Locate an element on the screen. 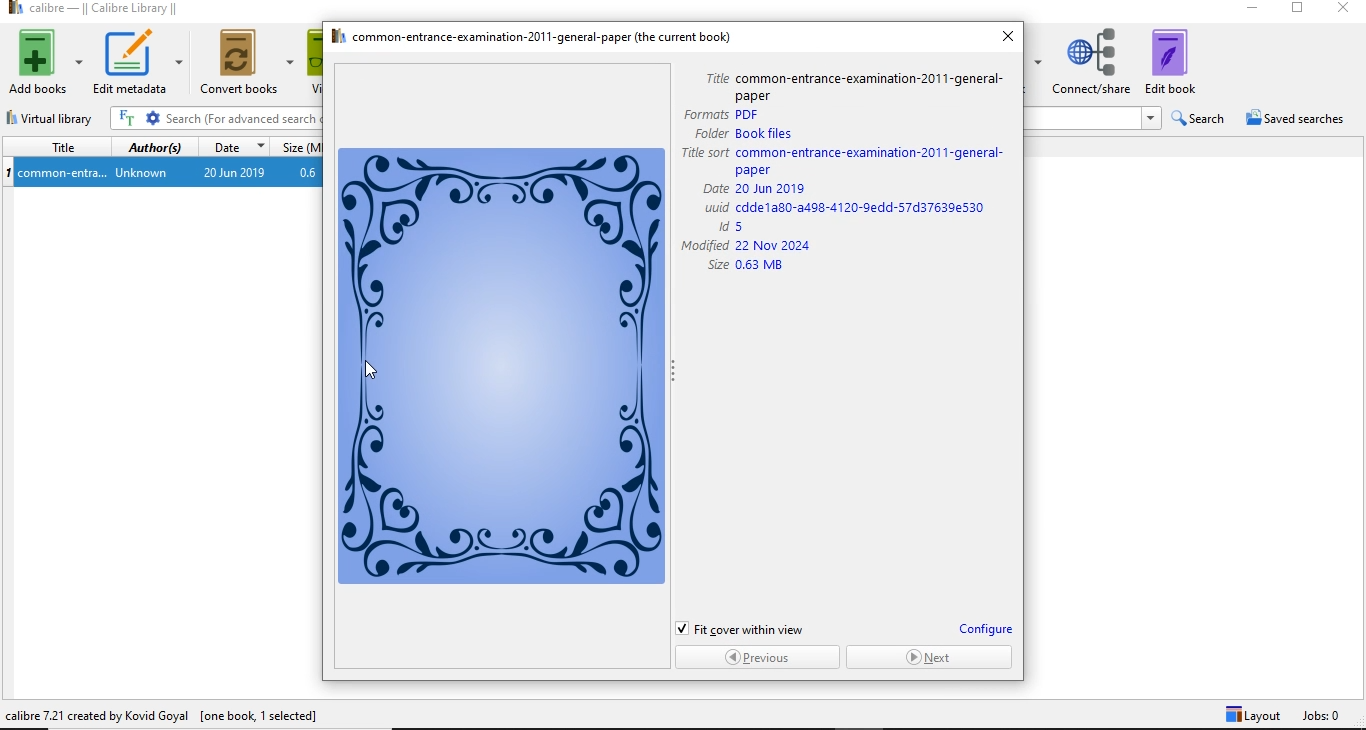  fit cover within view is located at coordinates (752, 628).